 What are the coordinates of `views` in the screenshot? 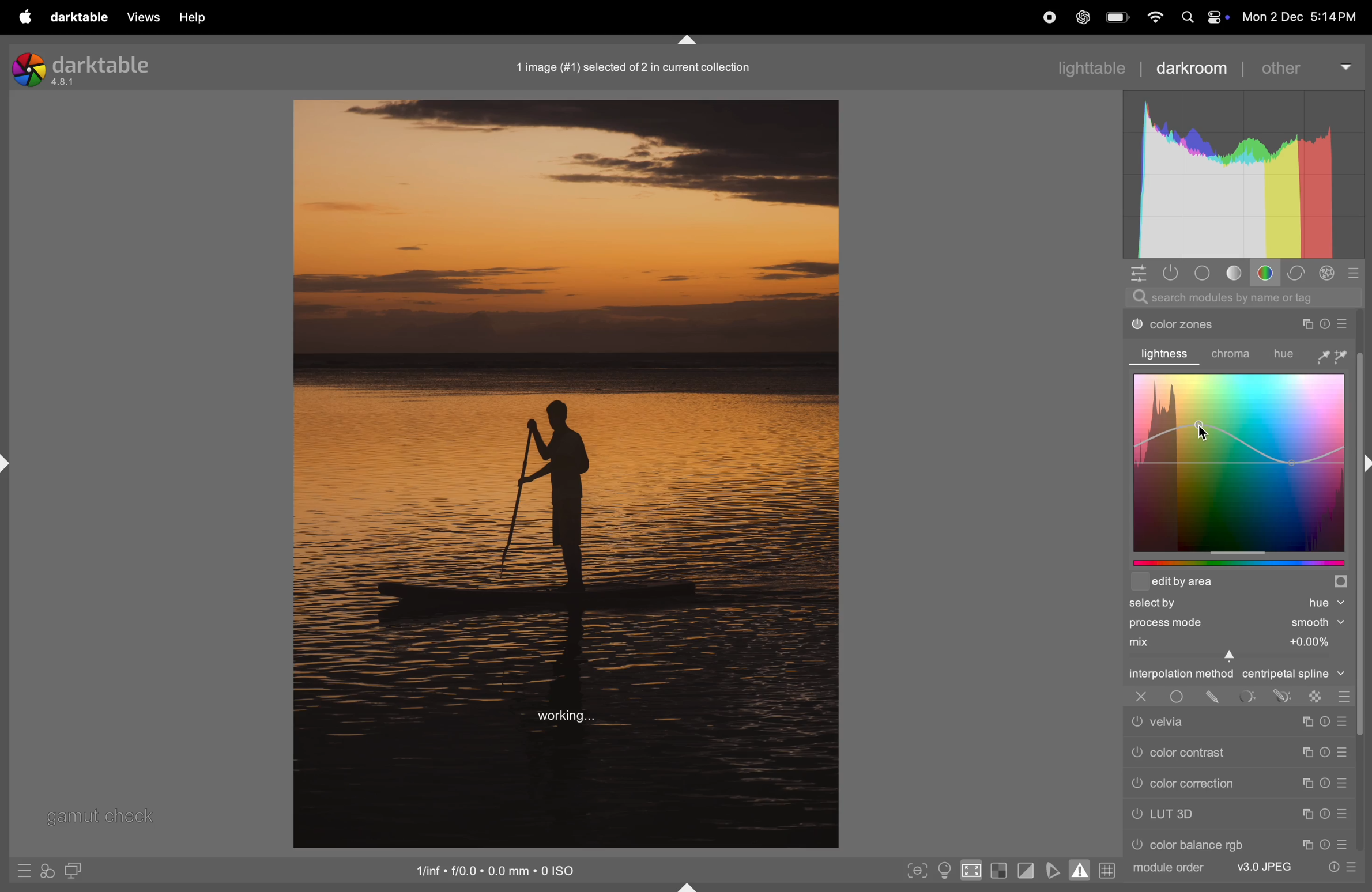 It's located at (145, 18).